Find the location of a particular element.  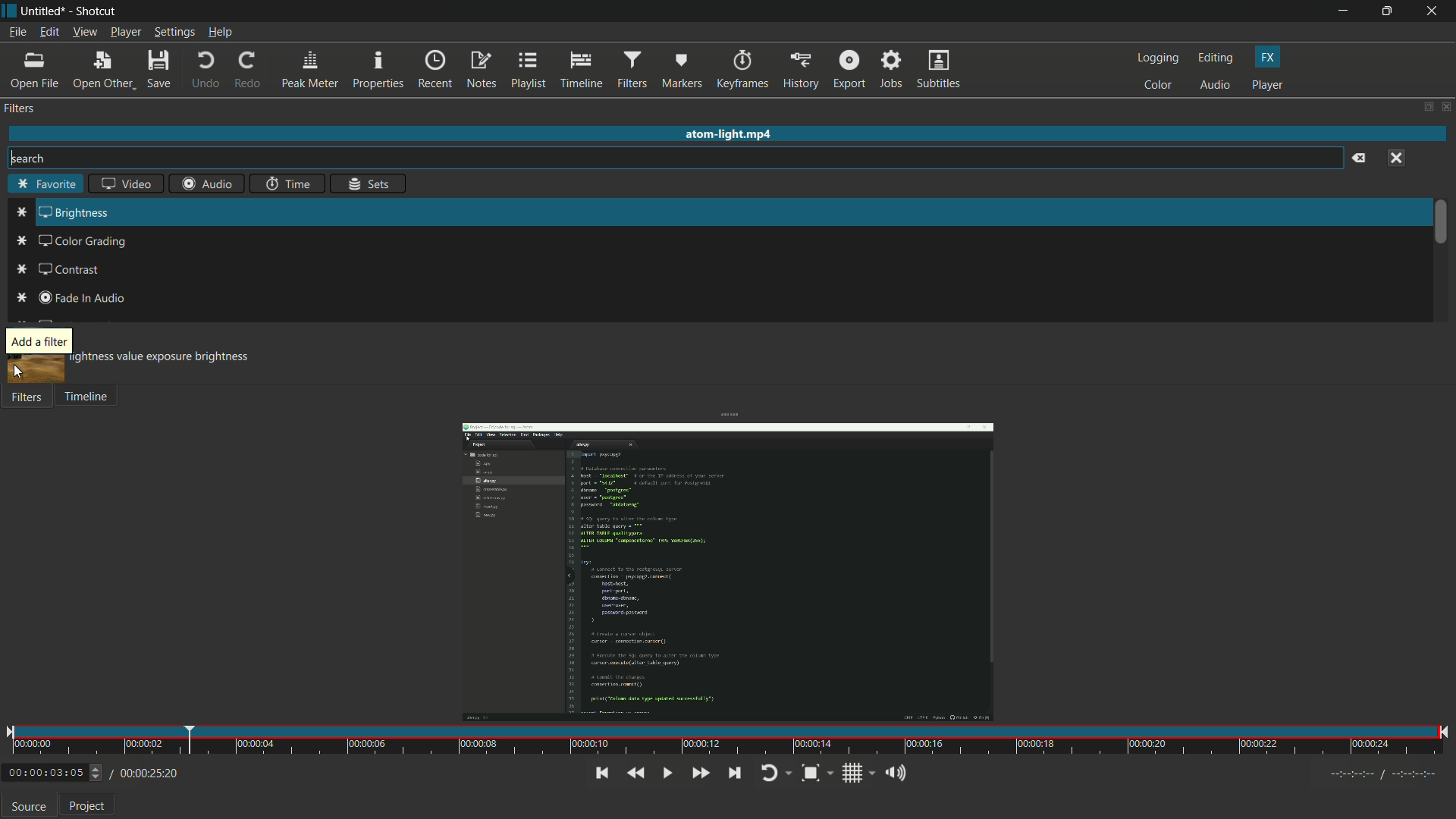

up and down is located at coordinates (98, 773).